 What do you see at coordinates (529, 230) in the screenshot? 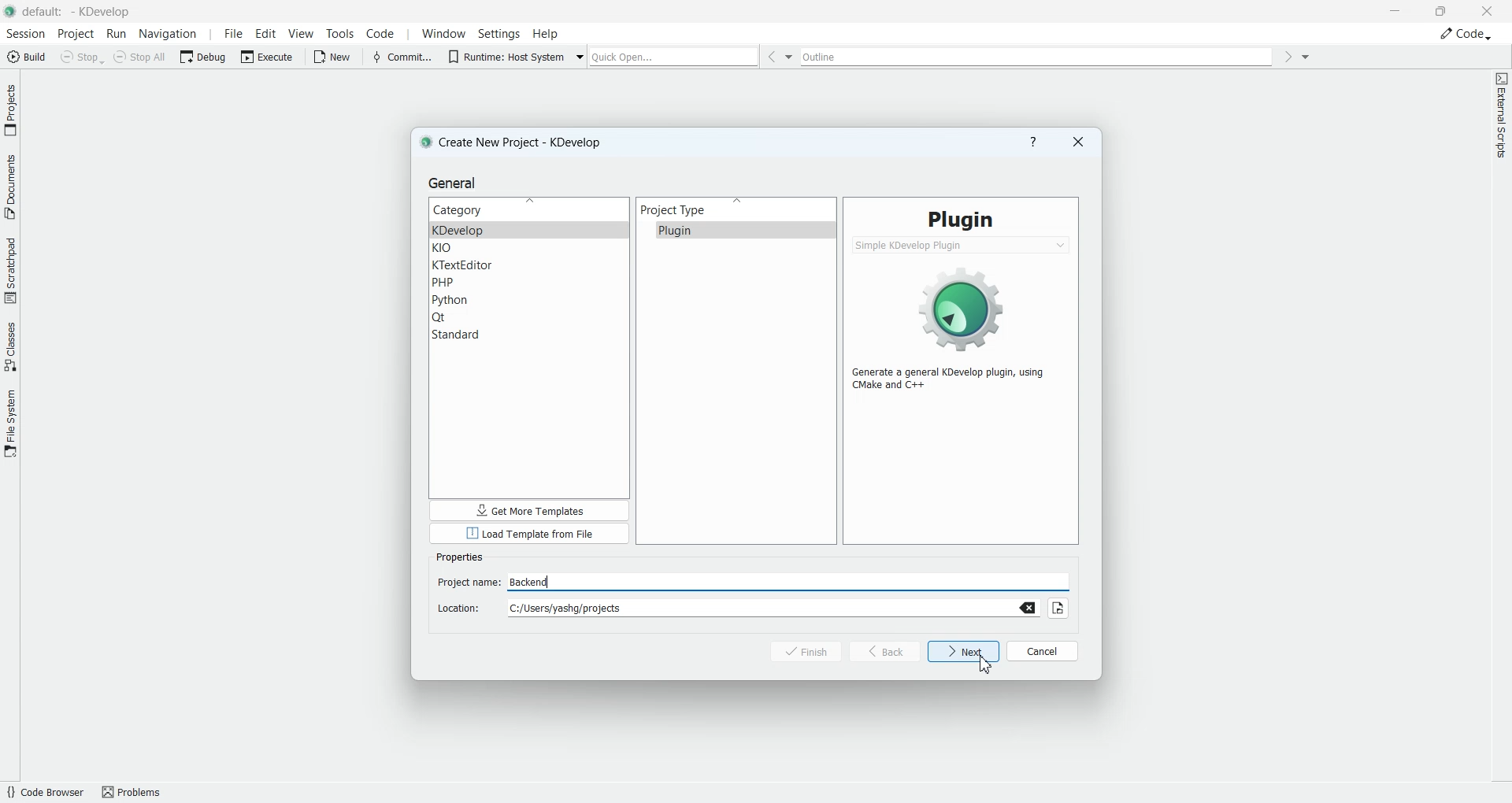
I see `KDevelop` at bounding box center [529, 230].